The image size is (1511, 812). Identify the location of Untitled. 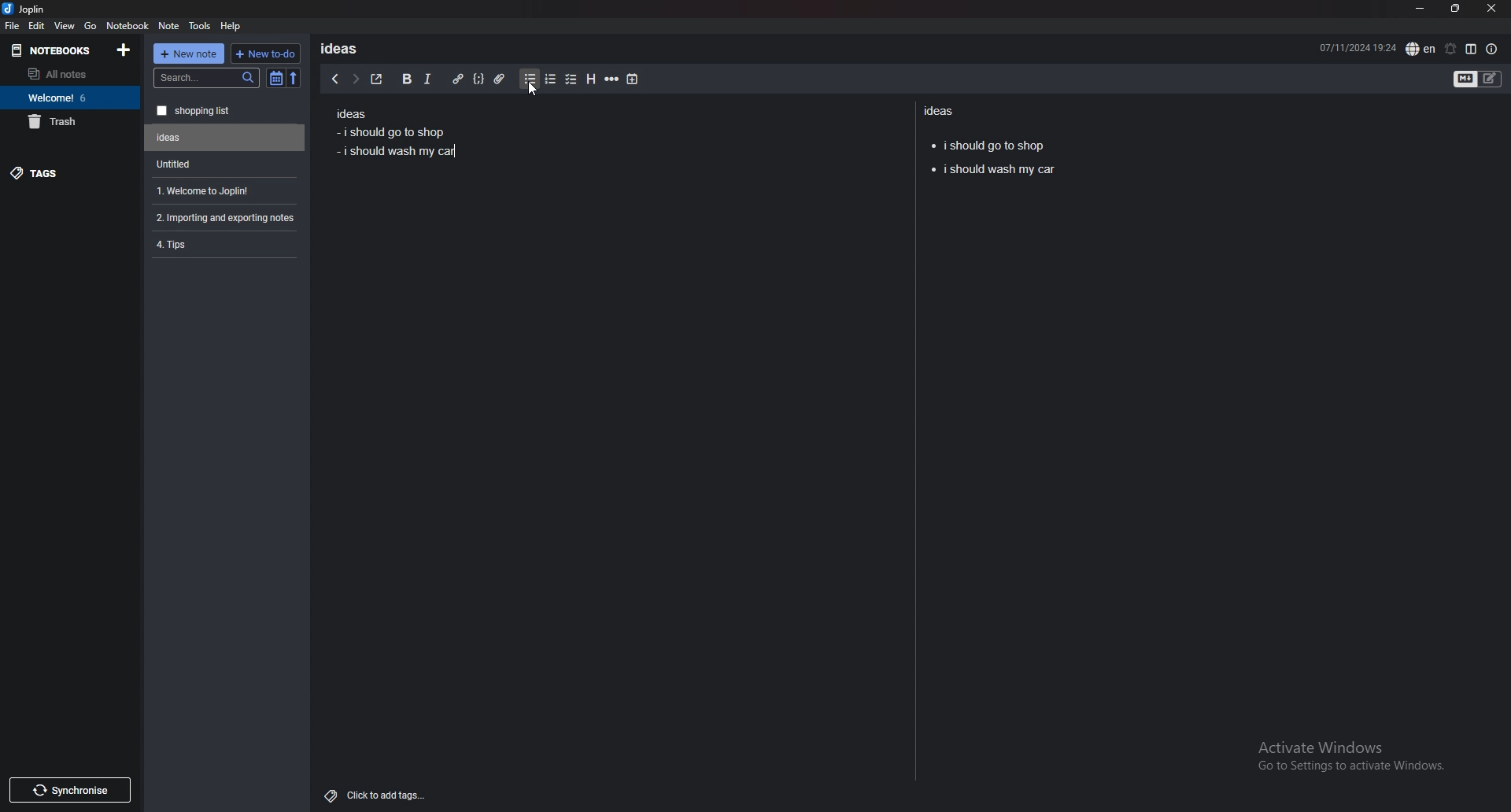
(225, 138).